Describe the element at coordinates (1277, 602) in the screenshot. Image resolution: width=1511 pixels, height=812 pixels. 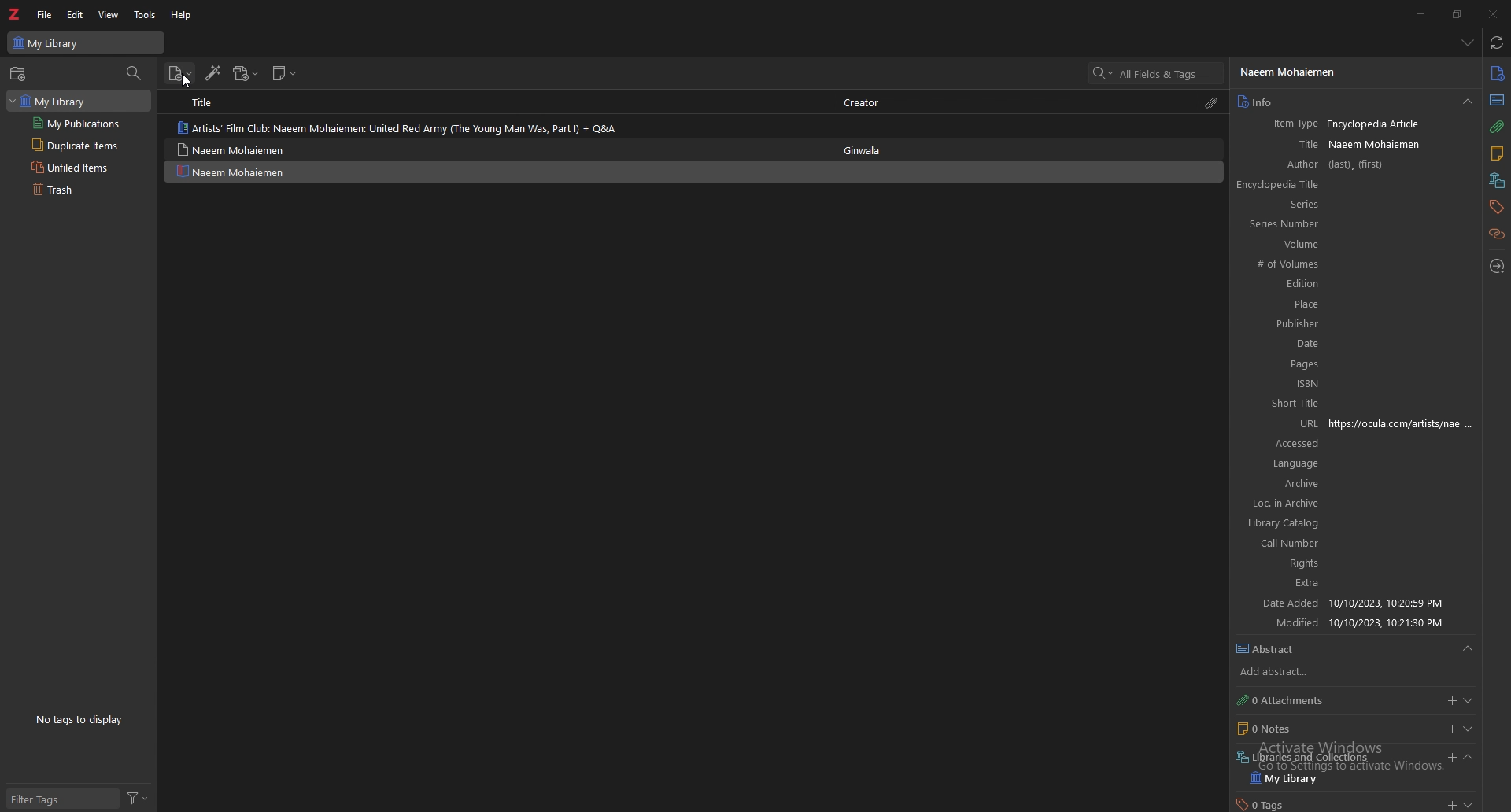
I see `date added` at that location.